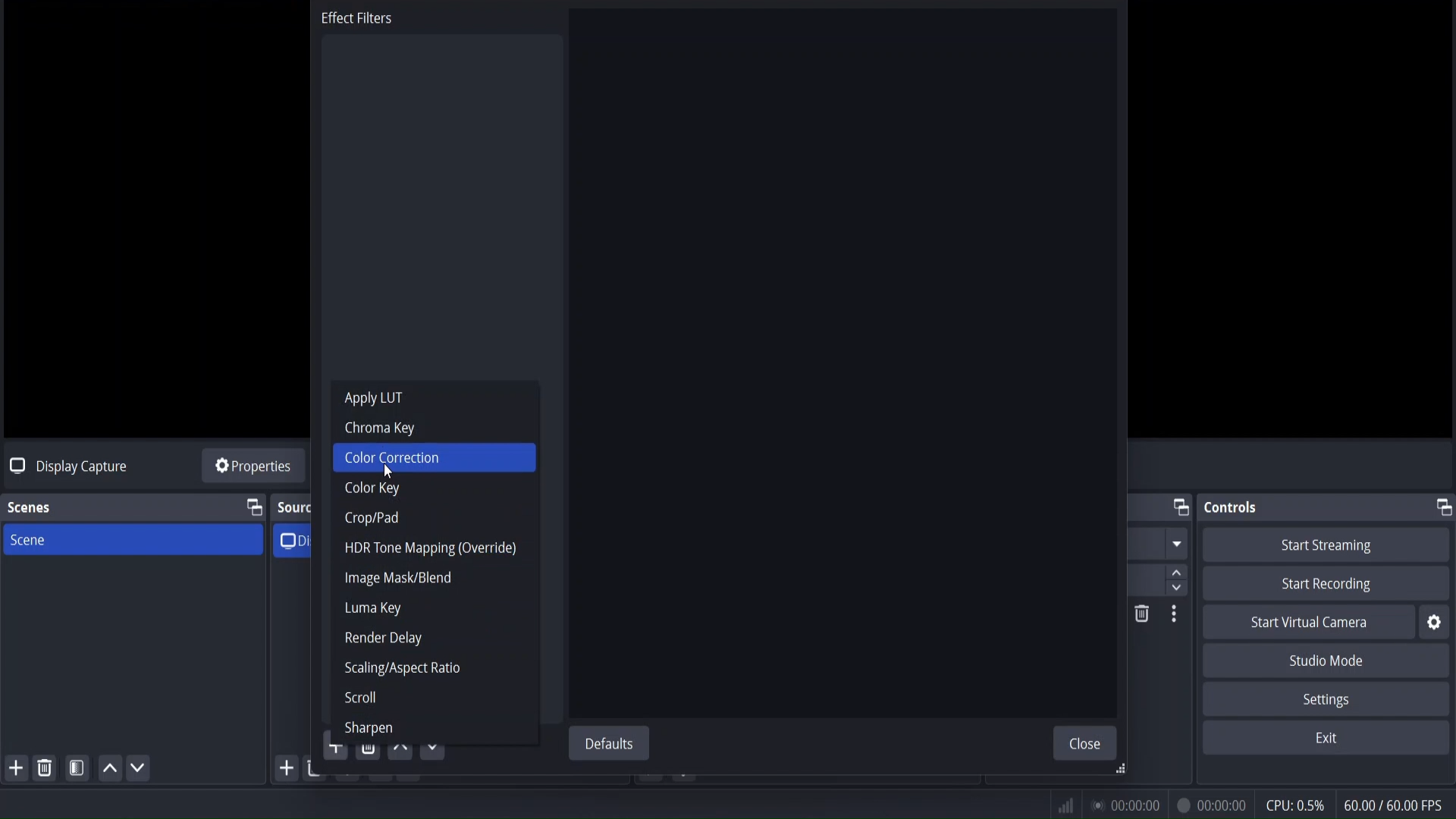 This screenshot has width=1456, height=819. What do you see at coordinates (46, 767) in the screenshot?
I see `remove selected scene` at bounding box center [46, 767].